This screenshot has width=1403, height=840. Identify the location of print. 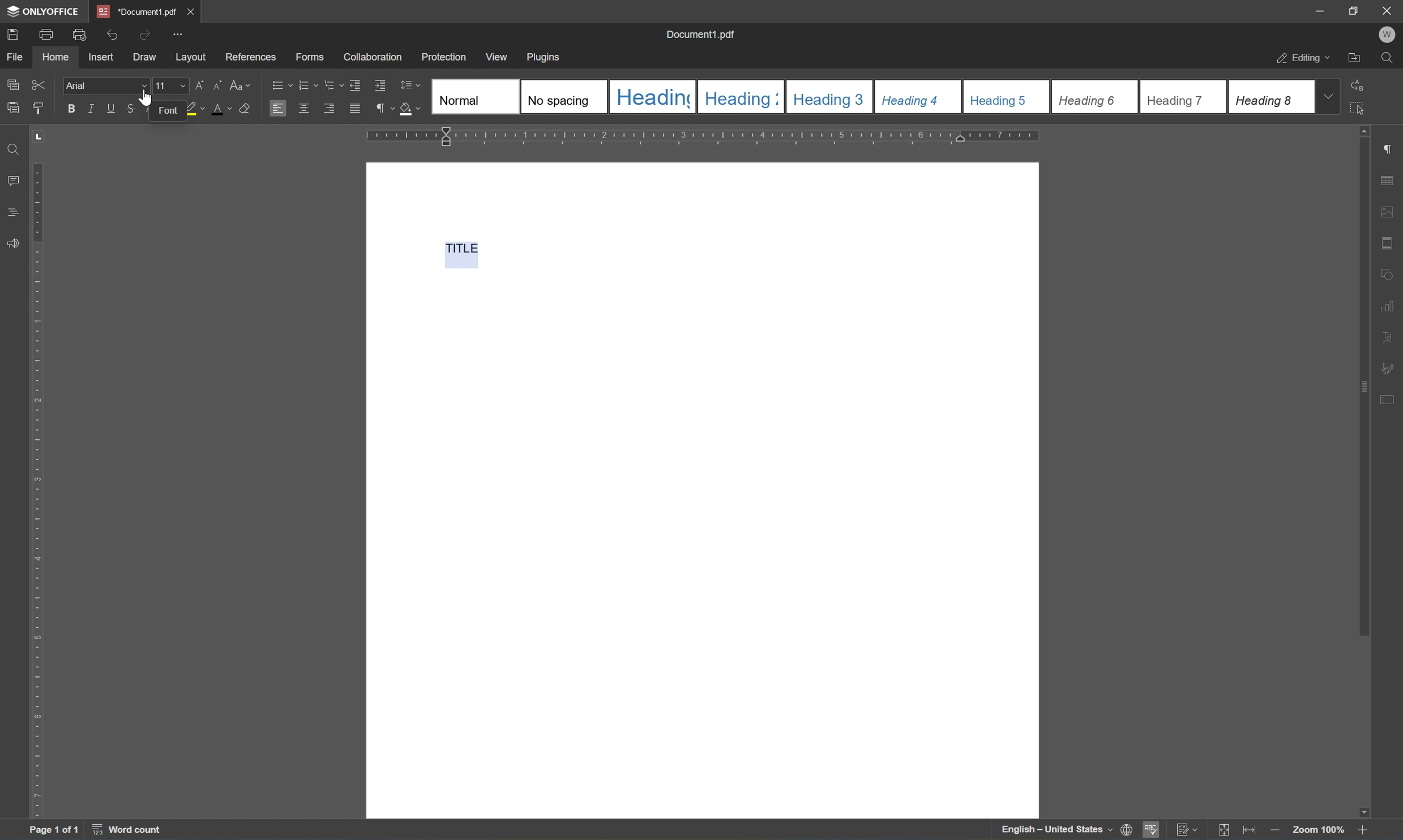
(48, 35).